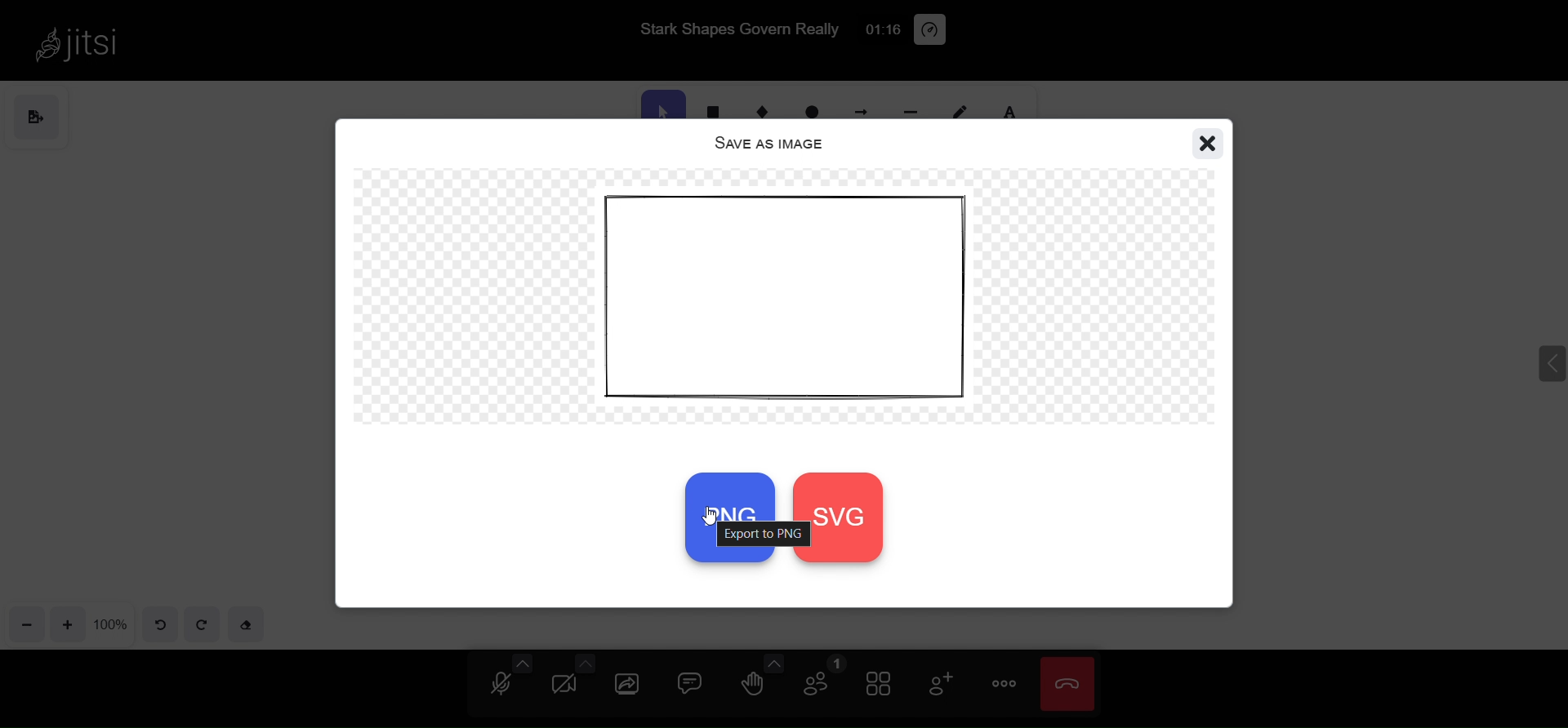 The height and width of the screenshot is (728, 1568). What do you see at coordinates (587, 663) in the screenshot?
I see `more camera option` at bounding box center [587, 663].